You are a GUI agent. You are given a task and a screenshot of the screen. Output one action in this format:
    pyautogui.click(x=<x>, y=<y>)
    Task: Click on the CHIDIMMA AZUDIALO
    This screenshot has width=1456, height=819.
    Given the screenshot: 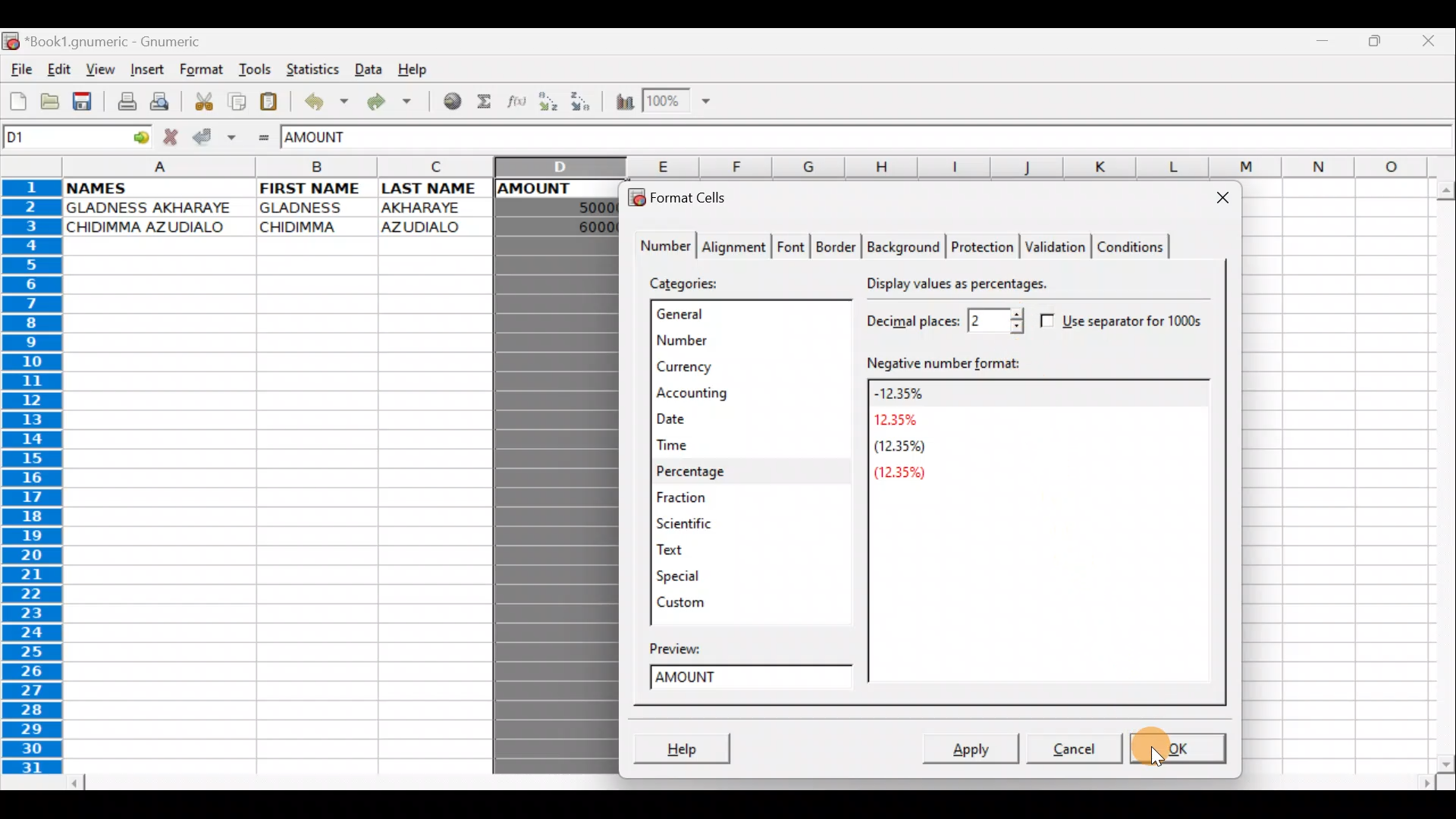 What is the action you would take?
    pyautogui.click(x=156, y=228)
    